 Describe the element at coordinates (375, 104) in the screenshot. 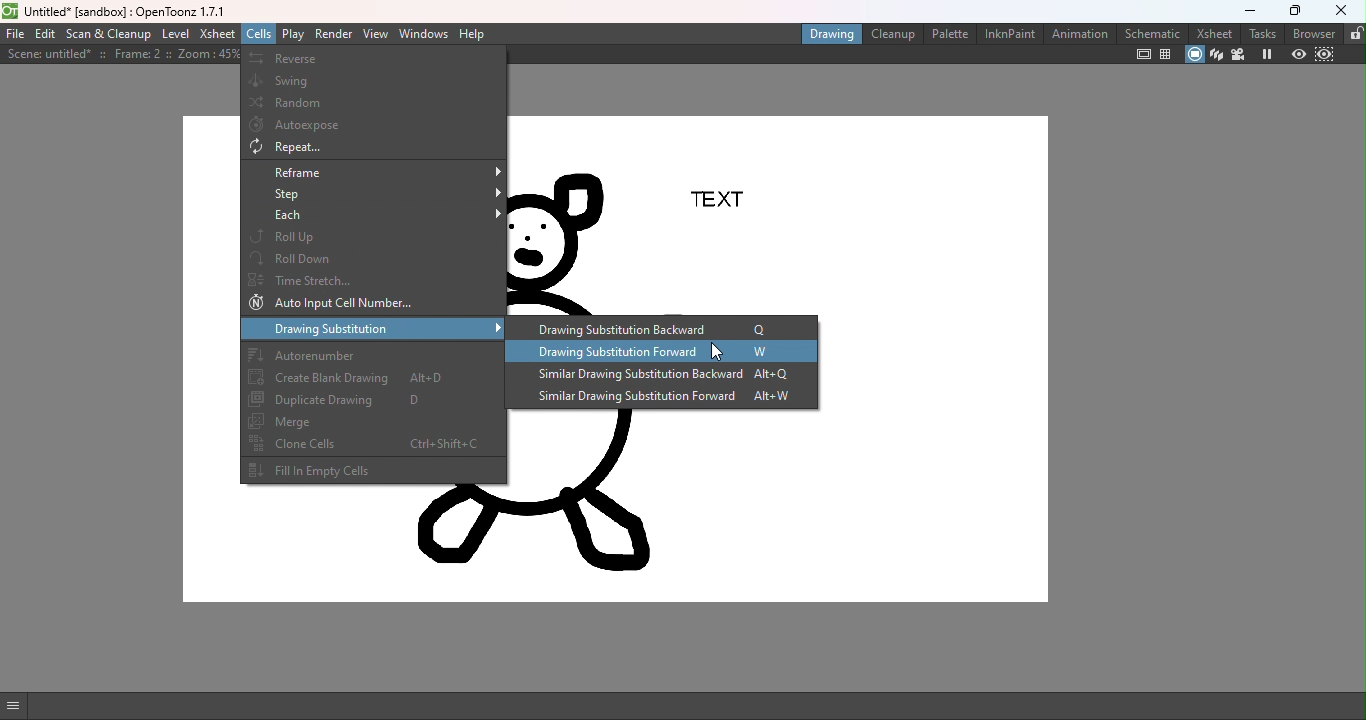

I see `Random` at that location.